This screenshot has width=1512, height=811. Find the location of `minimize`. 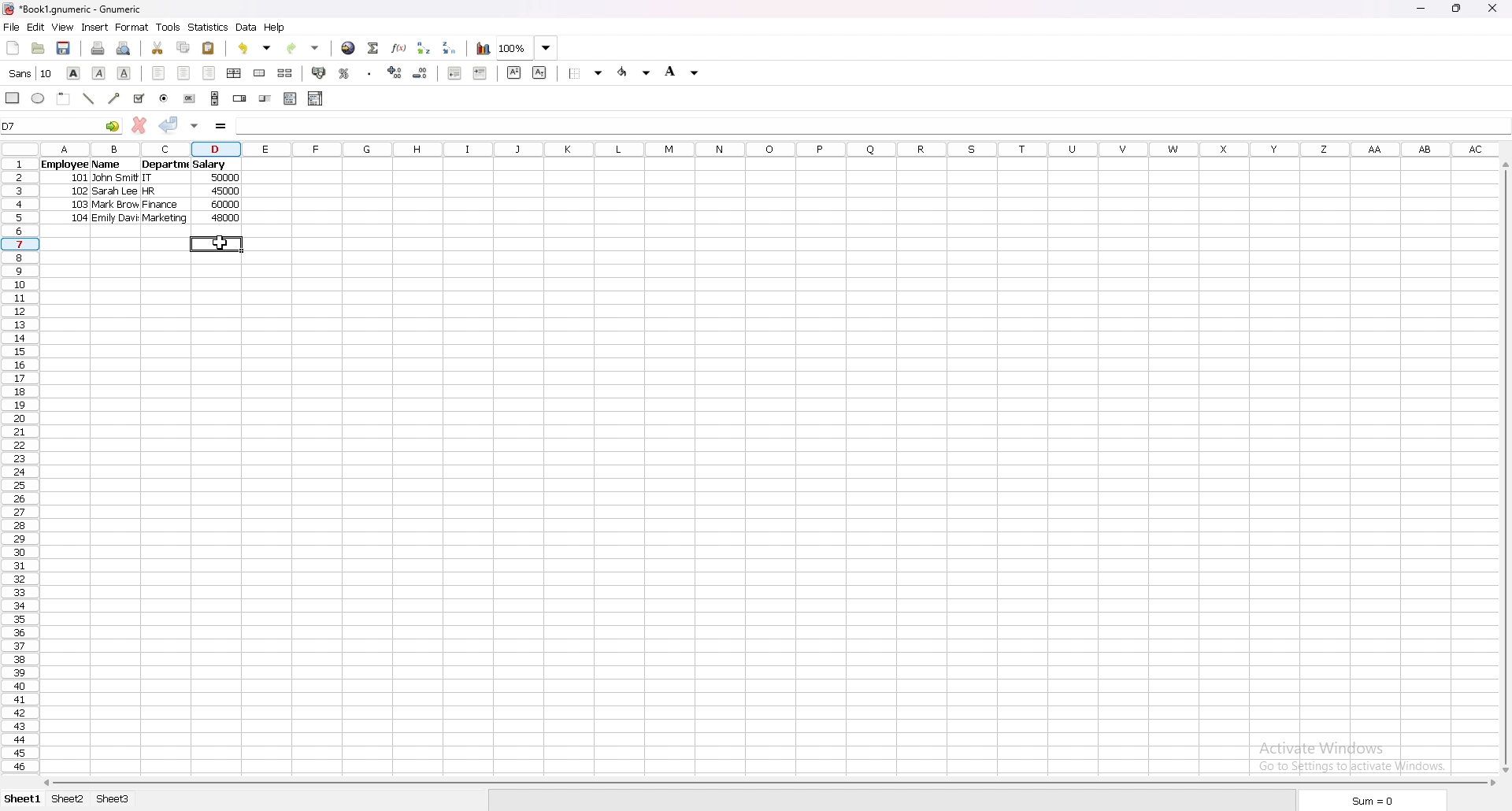

minimize is located at coordinates (1422, 9).